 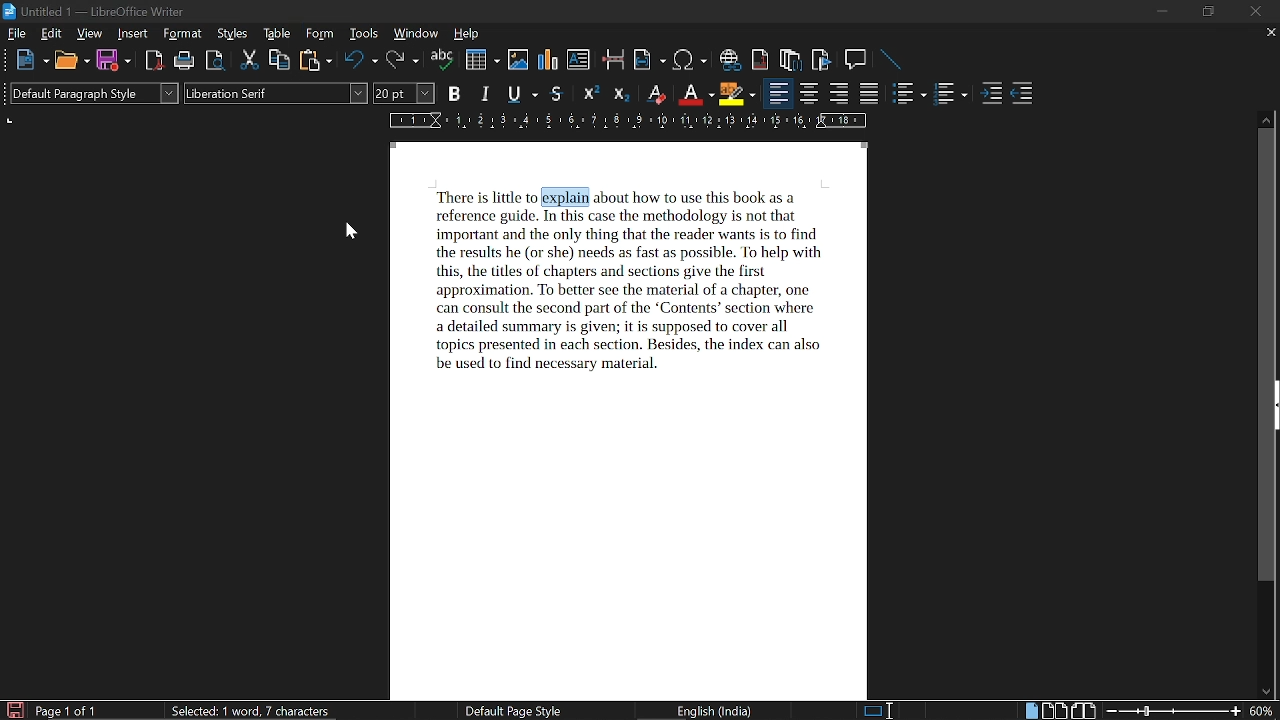 What do you see at coordinates (877, 710) in the screenshot?
I see `selection method` at bounding box center [877, 710].